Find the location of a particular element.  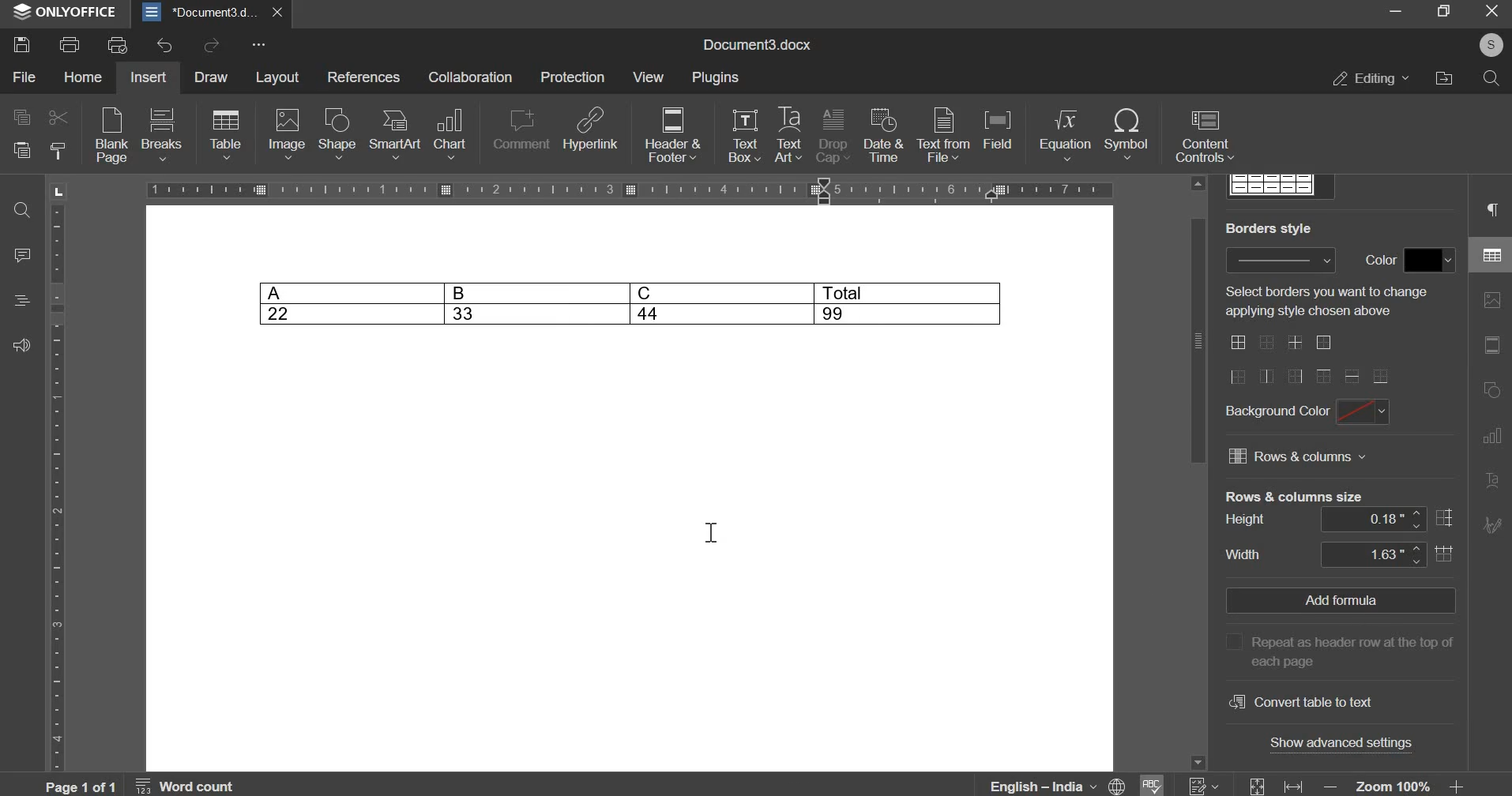

insert is located at coordinates (152, 77).